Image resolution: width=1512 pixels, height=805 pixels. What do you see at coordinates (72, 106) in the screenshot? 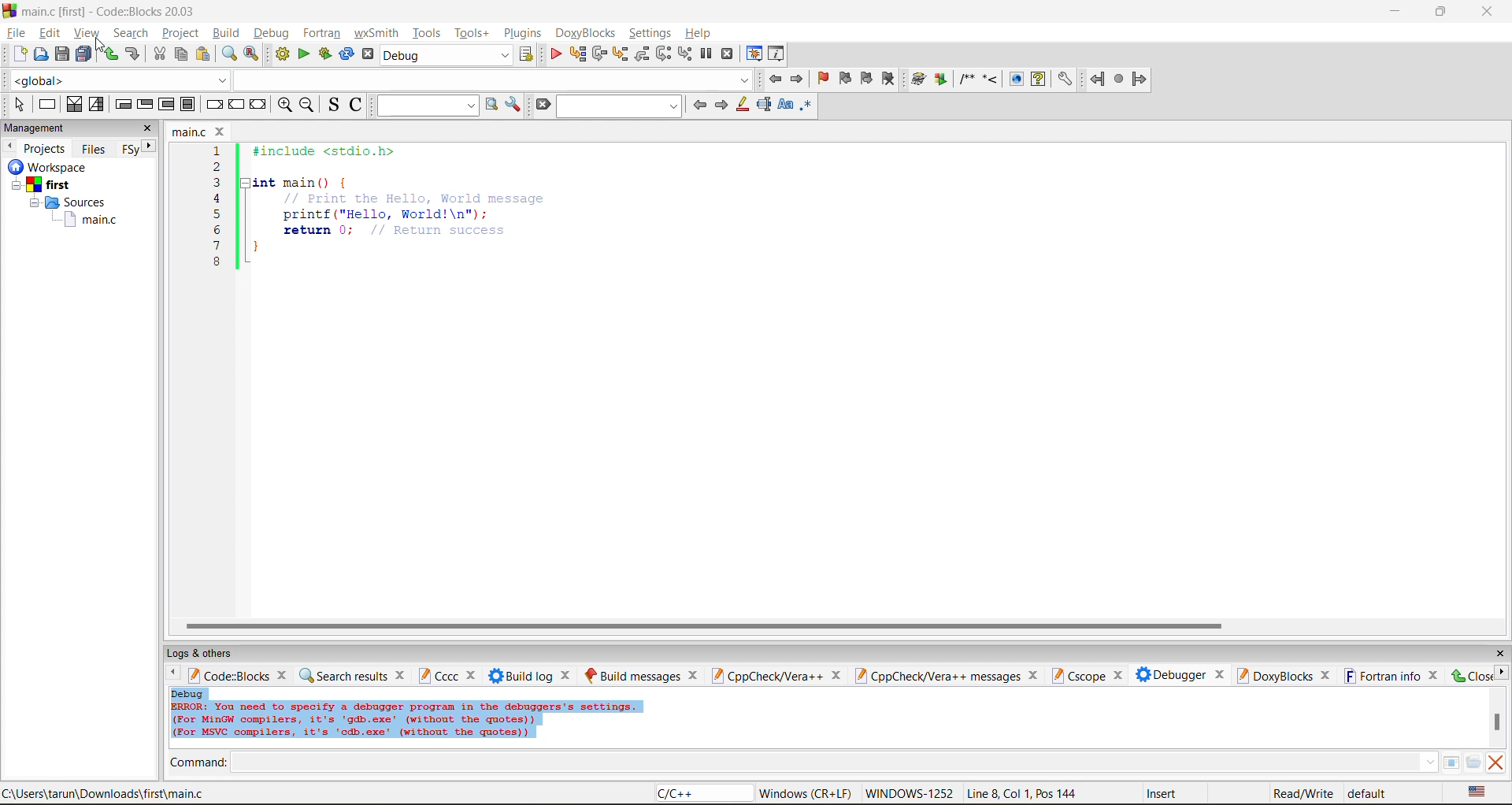
I see `decision` at bounding box center [72, 106].